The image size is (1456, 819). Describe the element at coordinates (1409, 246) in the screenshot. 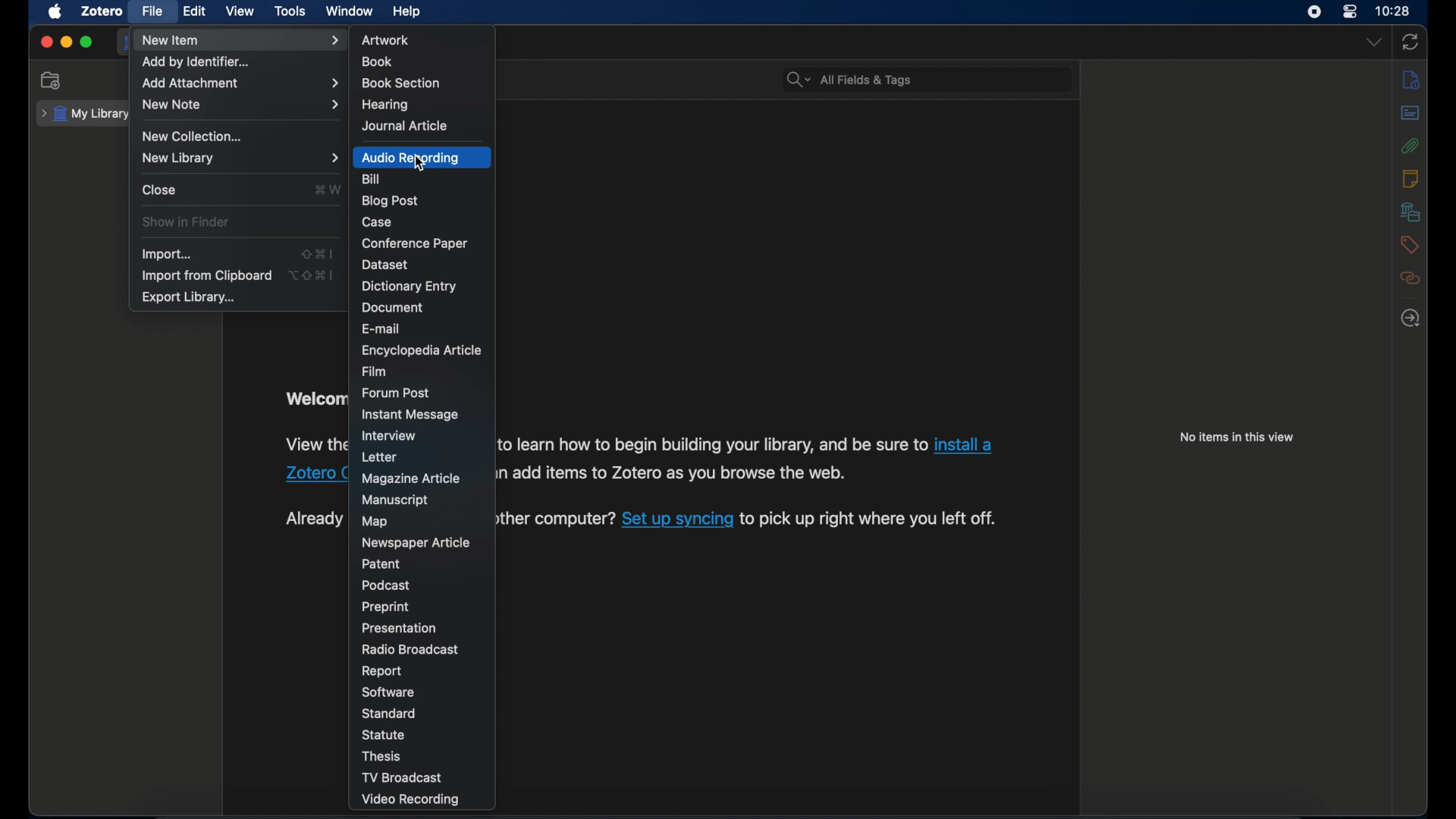

I see `tags` at that location.